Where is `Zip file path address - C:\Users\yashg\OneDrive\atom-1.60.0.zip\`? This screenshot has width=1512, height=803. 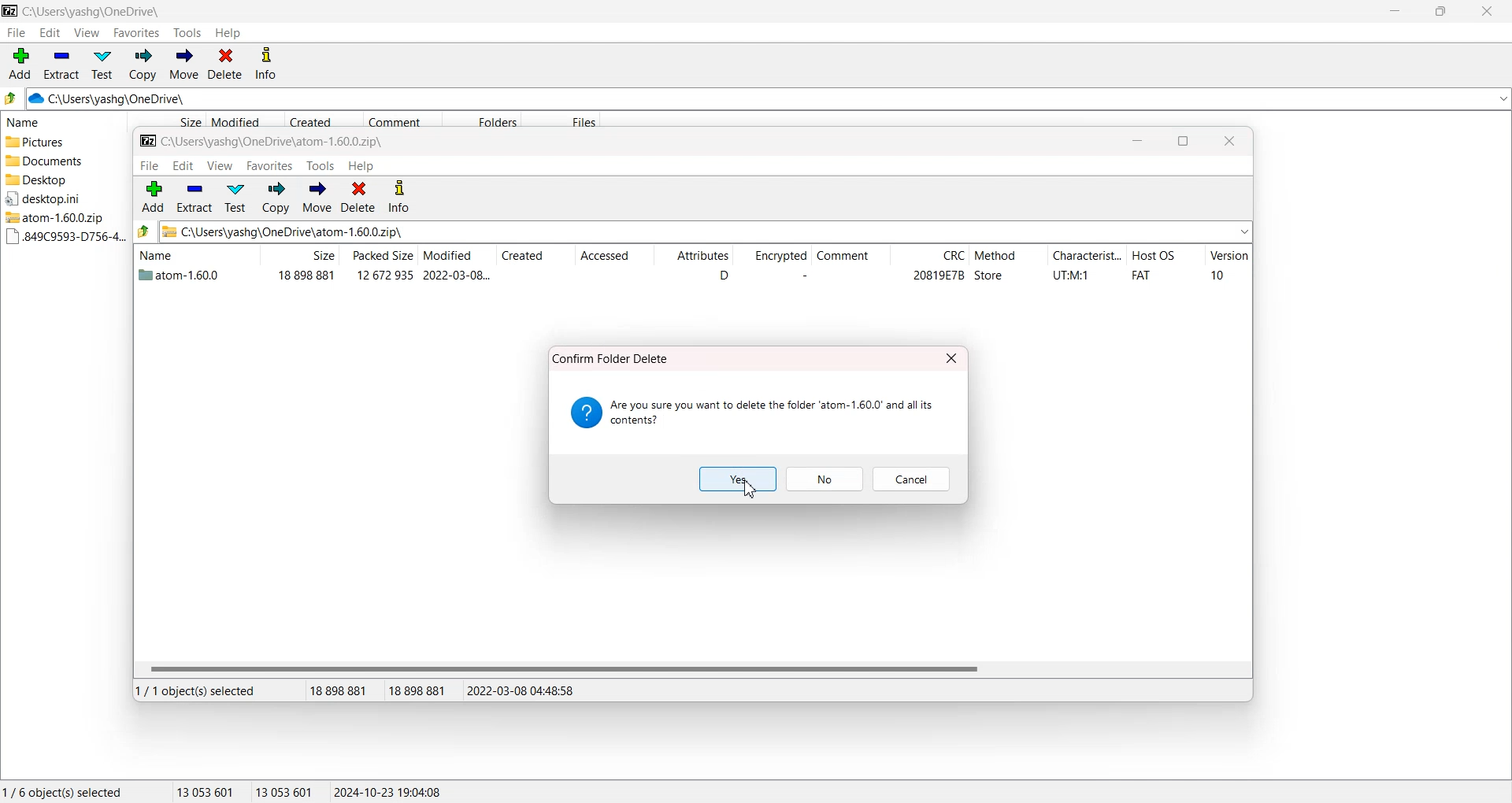 Zip file path address - C:\Users\yashg\OneDrive\atom-1.60.0.zip\ is located at coordinates (284, 231).